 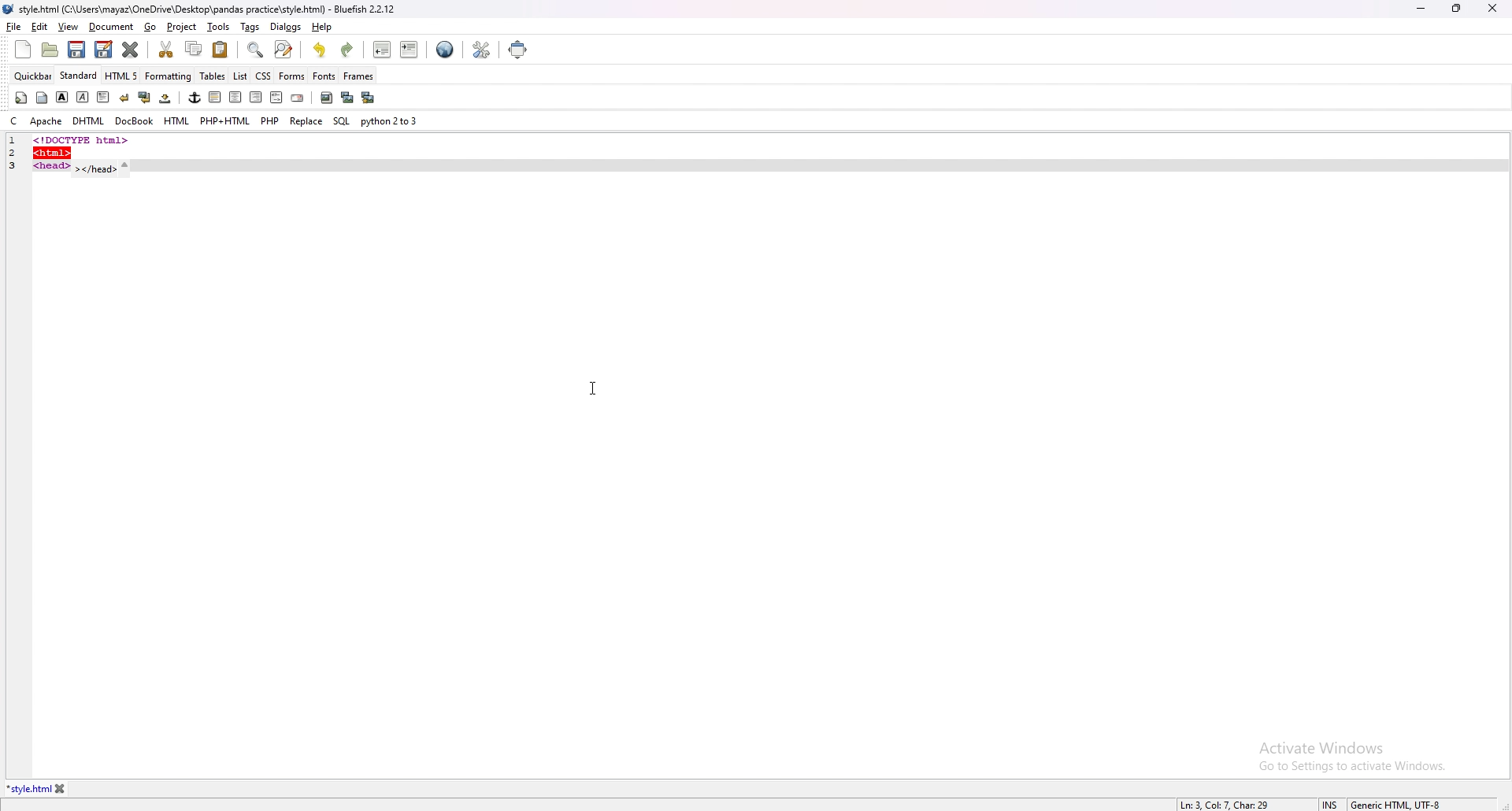 I want to click on tools, so click(x=219, y=27).